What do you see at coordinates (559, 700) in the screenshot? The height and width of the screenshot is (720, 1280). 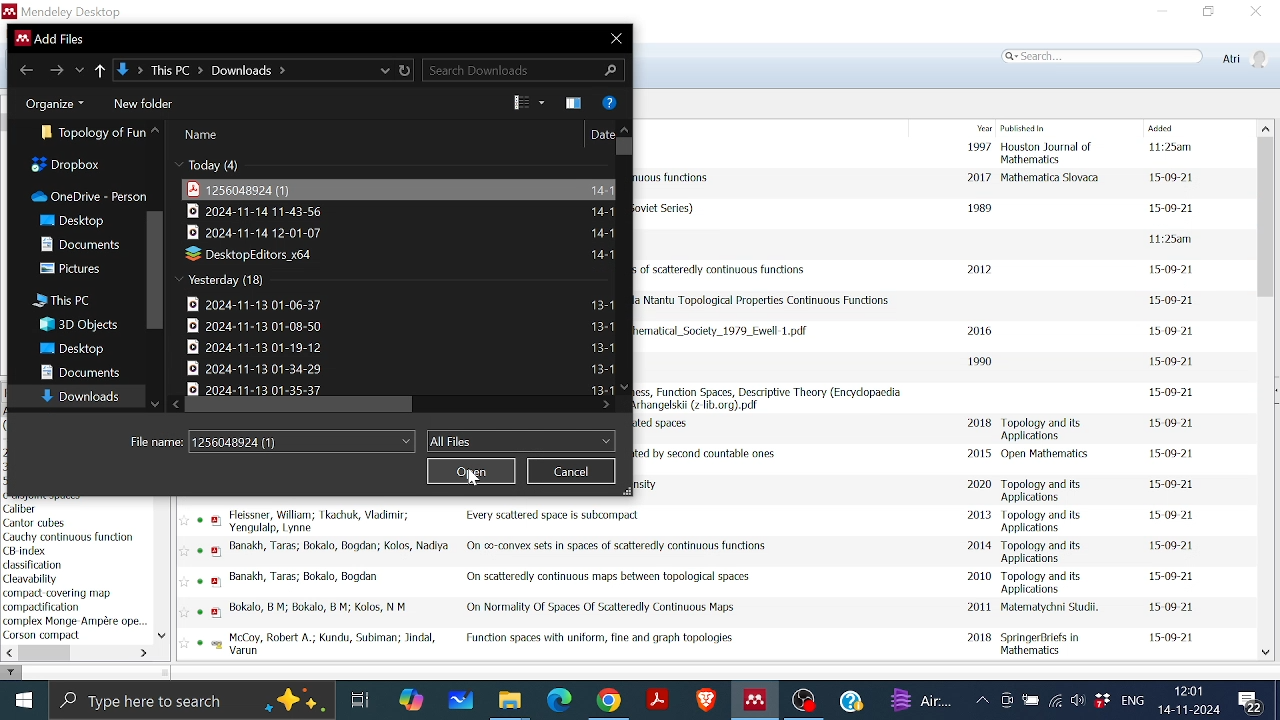 I see `Microsoft edge` at bounding box center [559, 700].